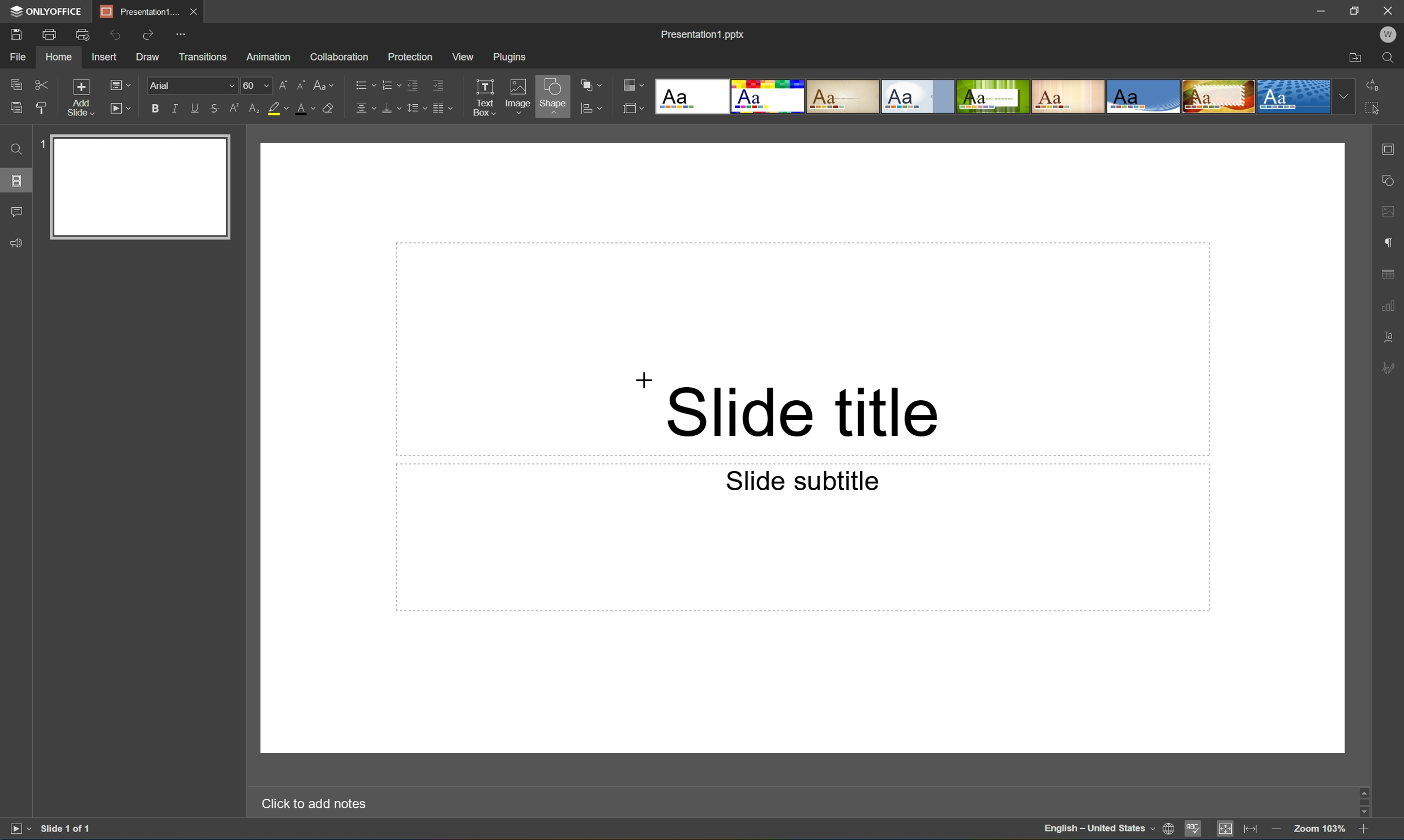  Describe the element at coordinates (1251, 830) in the screenshot. I see `Fit to width` at that location.